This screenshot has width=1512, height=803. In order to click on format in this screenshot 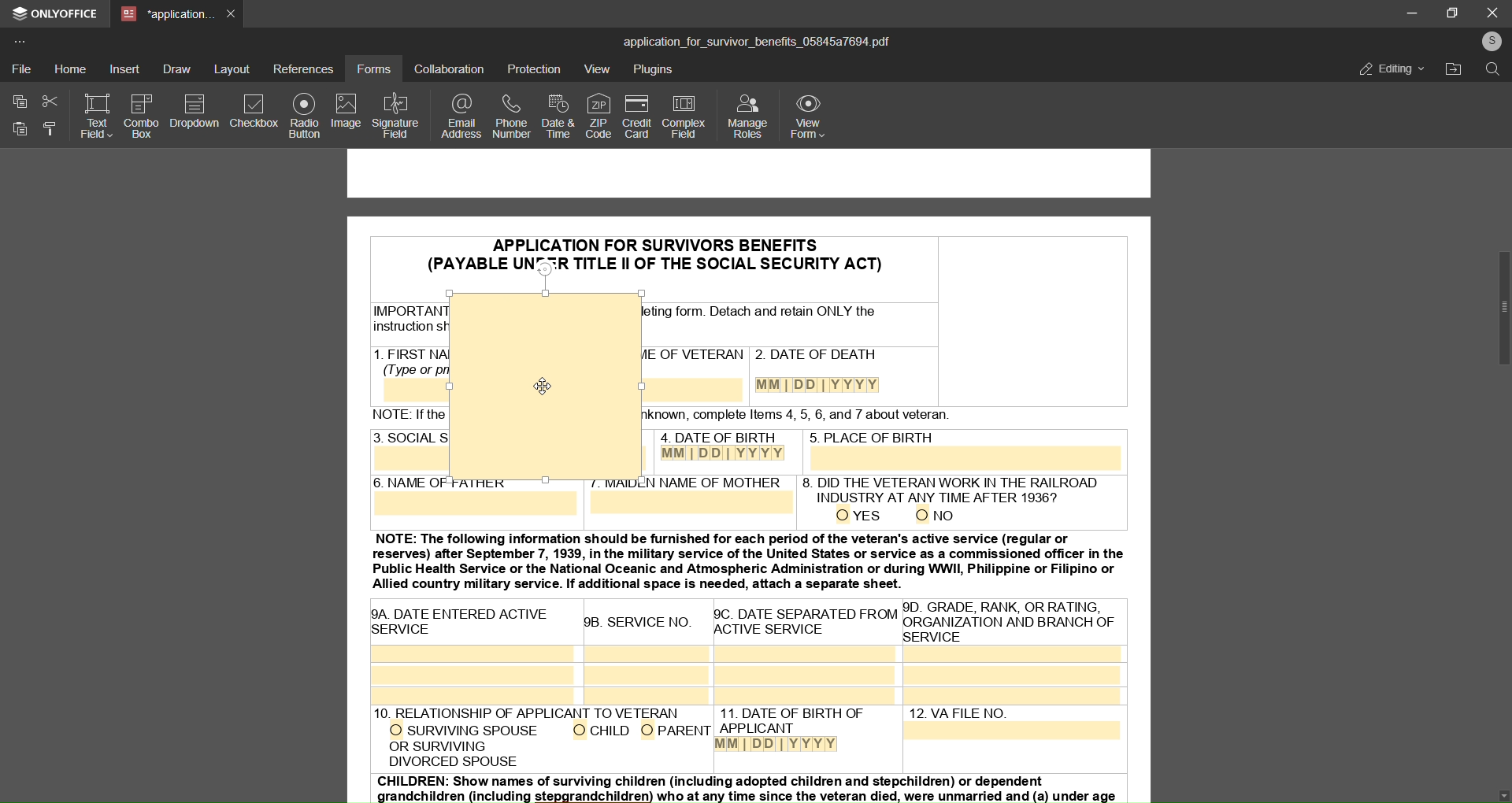, I will do `click(48, 131)`.